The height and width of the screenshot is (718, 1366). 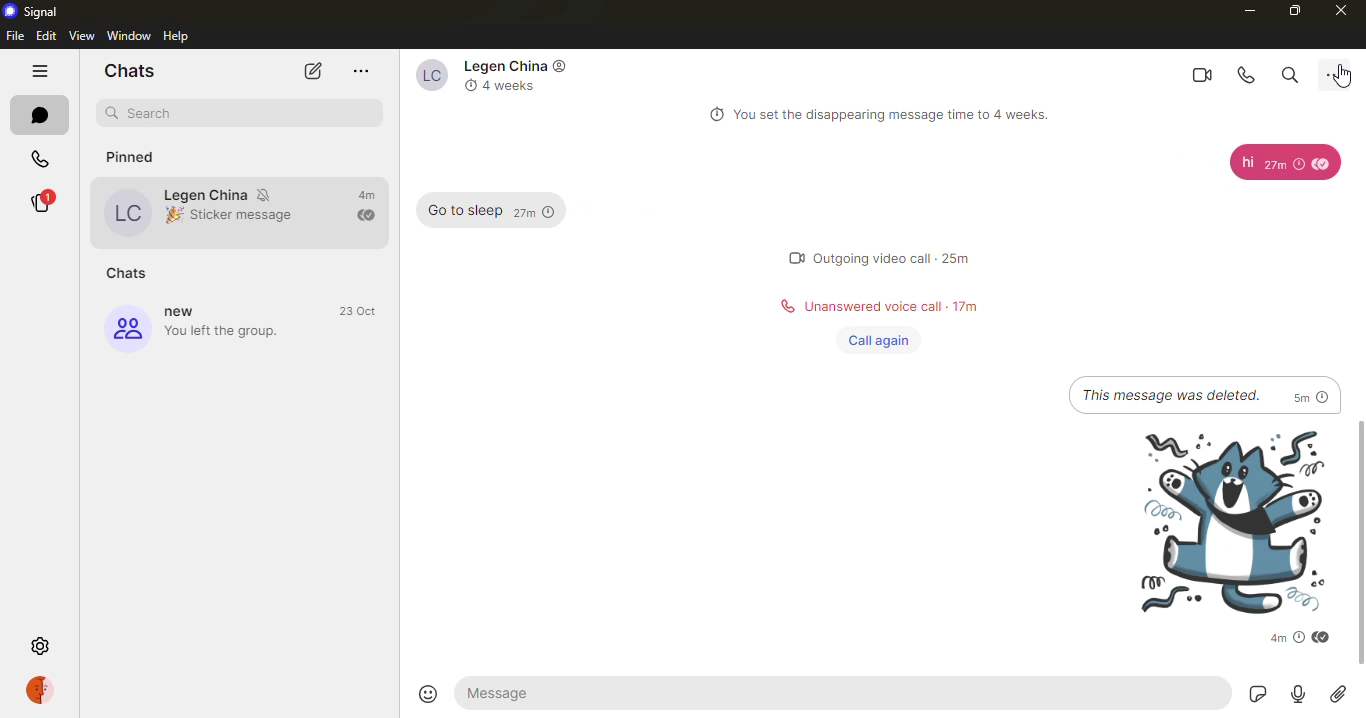 I want to click on attach, so click(x=1337, y=695).